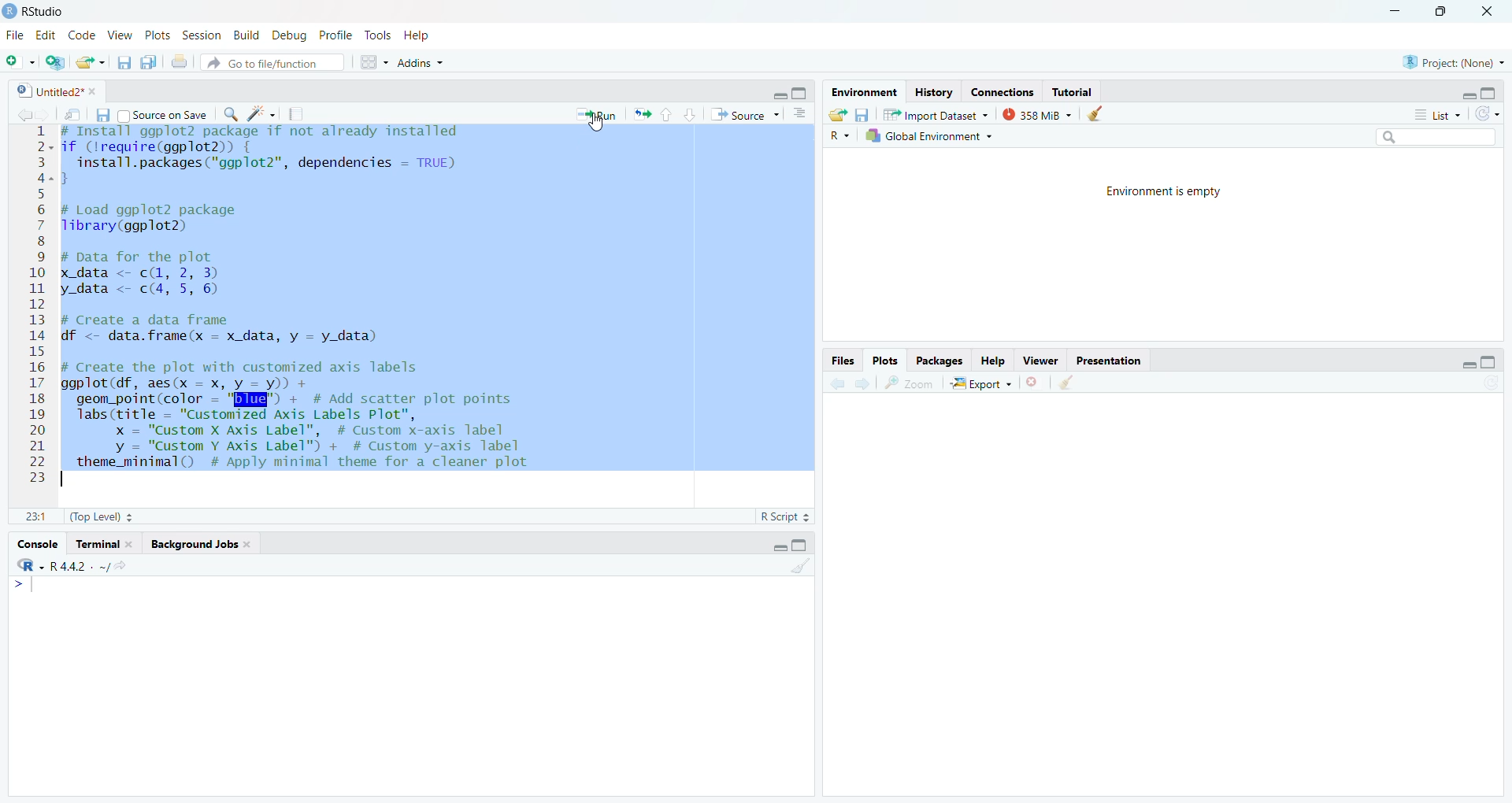 Image resolution: width=1512 pixels, height=803 pixels. Describe the element at coordinates (90, 63) in the screenshot. I see `export` at that location.